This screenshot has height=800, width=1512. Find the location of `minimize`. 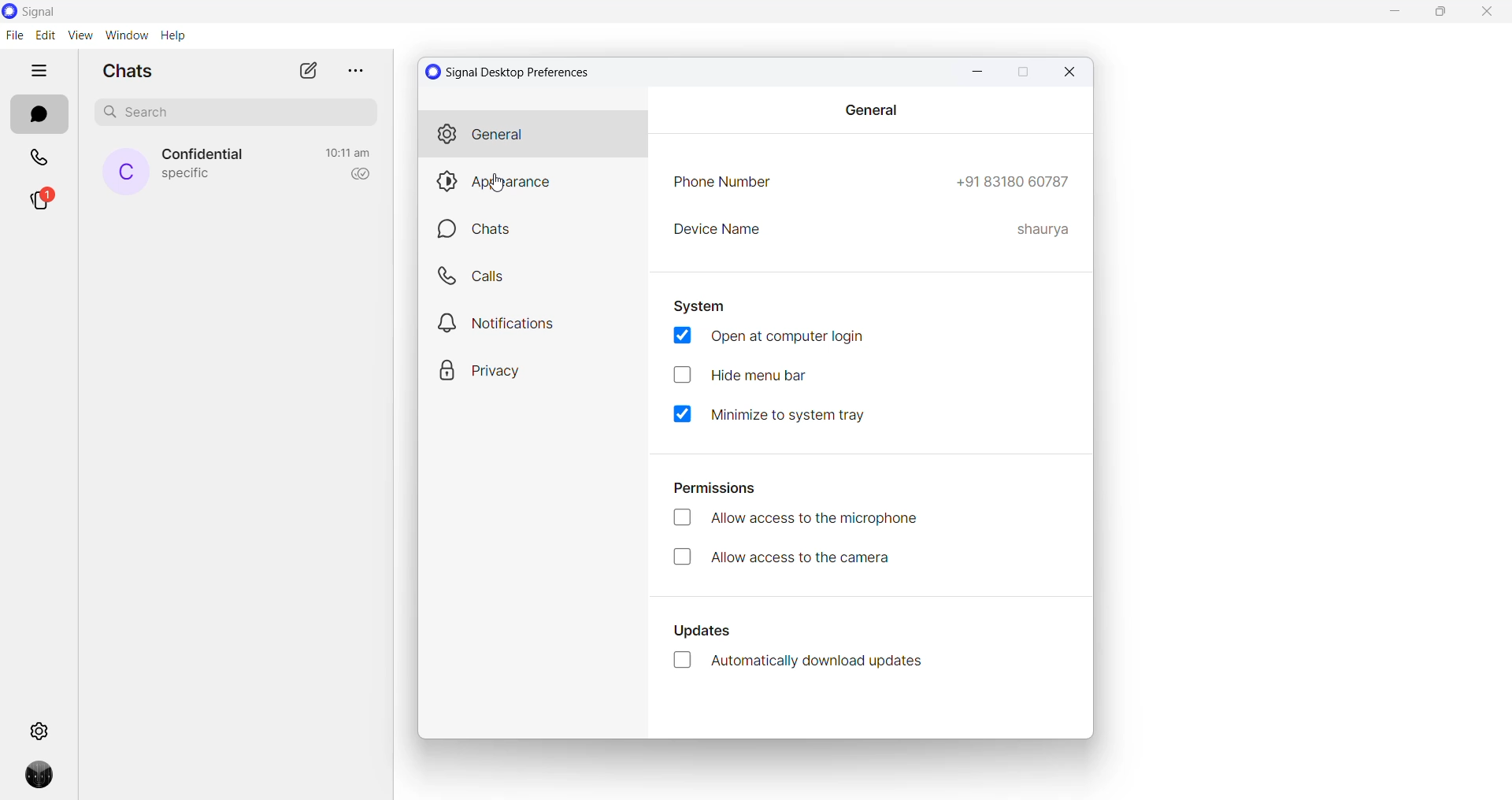

minimize is located at coordinates (975, 72).